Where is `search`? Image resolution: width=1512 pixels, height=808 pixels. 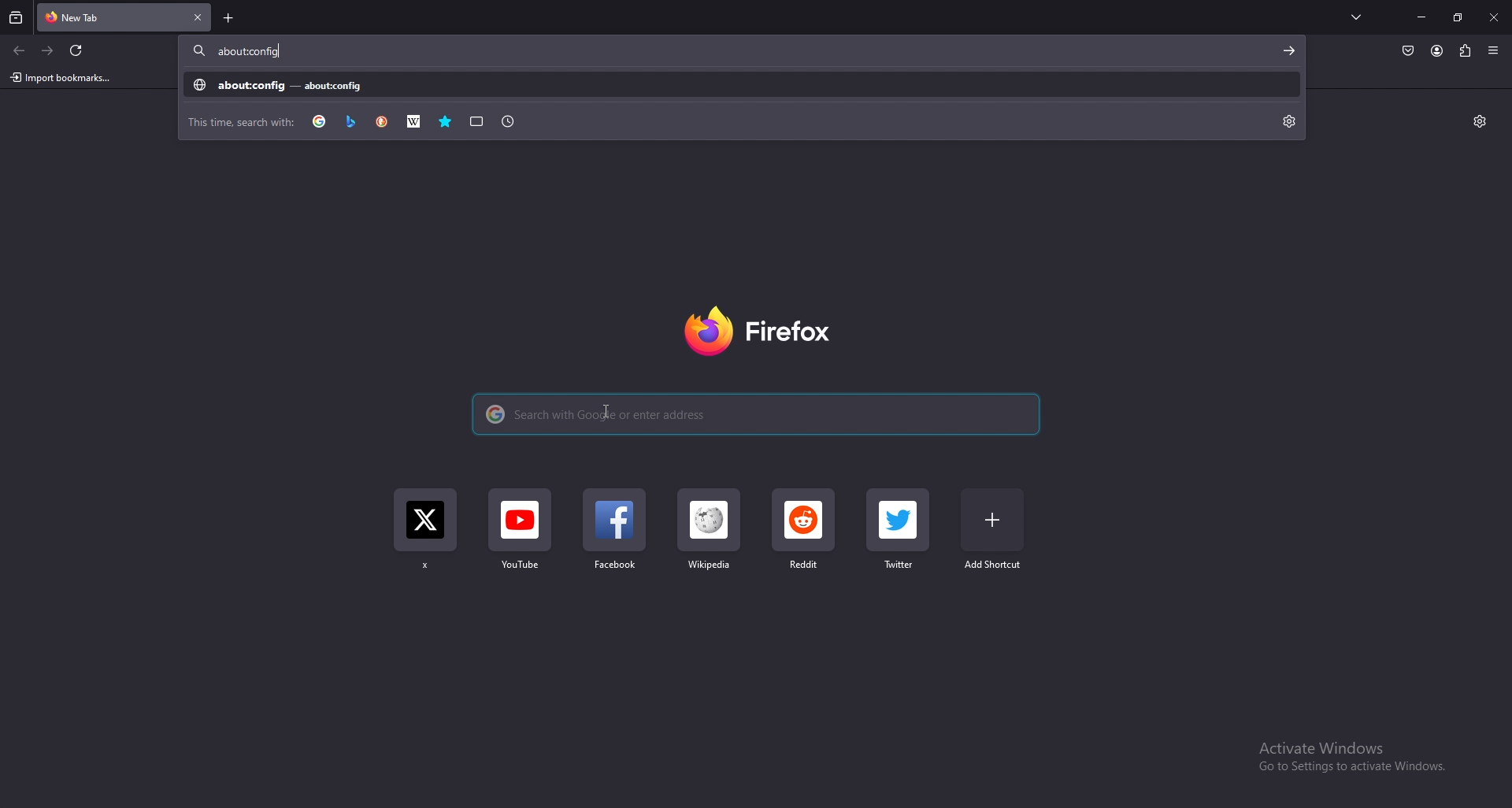
search is located at coordinates (744, 86).